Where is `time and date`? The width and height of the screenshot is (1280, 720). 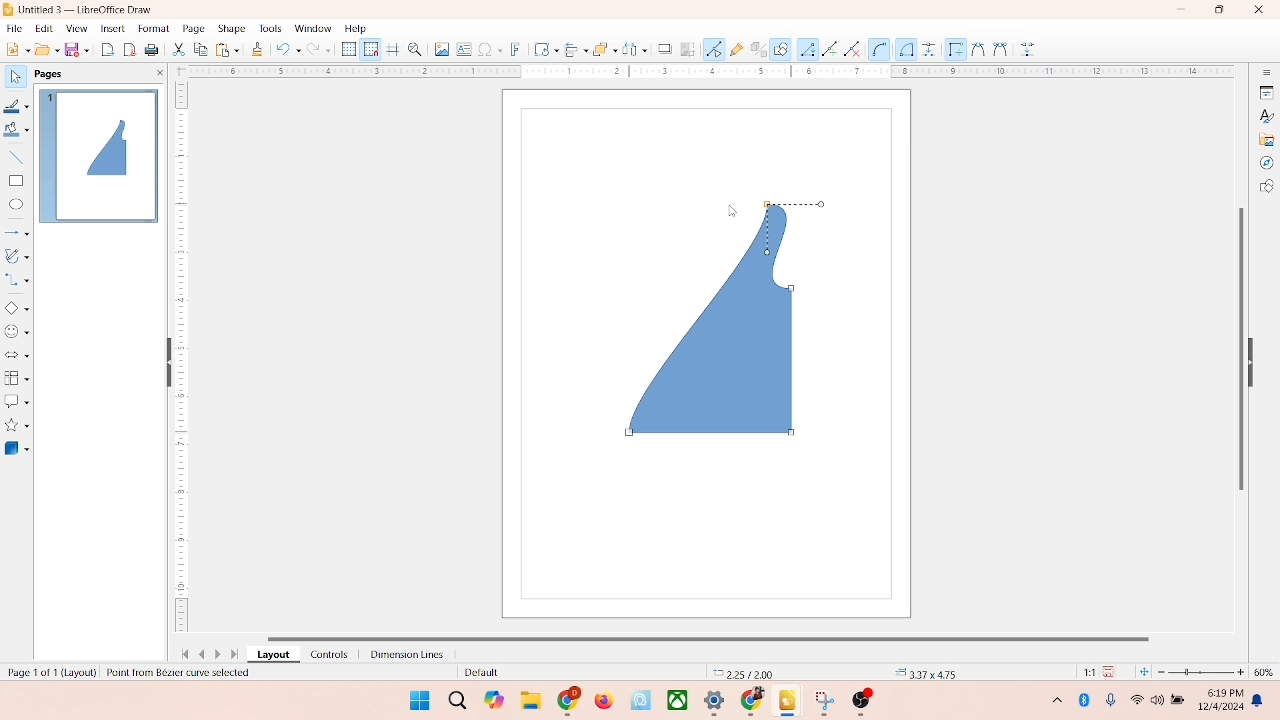 time and date is located at coordinates (1219, 697).